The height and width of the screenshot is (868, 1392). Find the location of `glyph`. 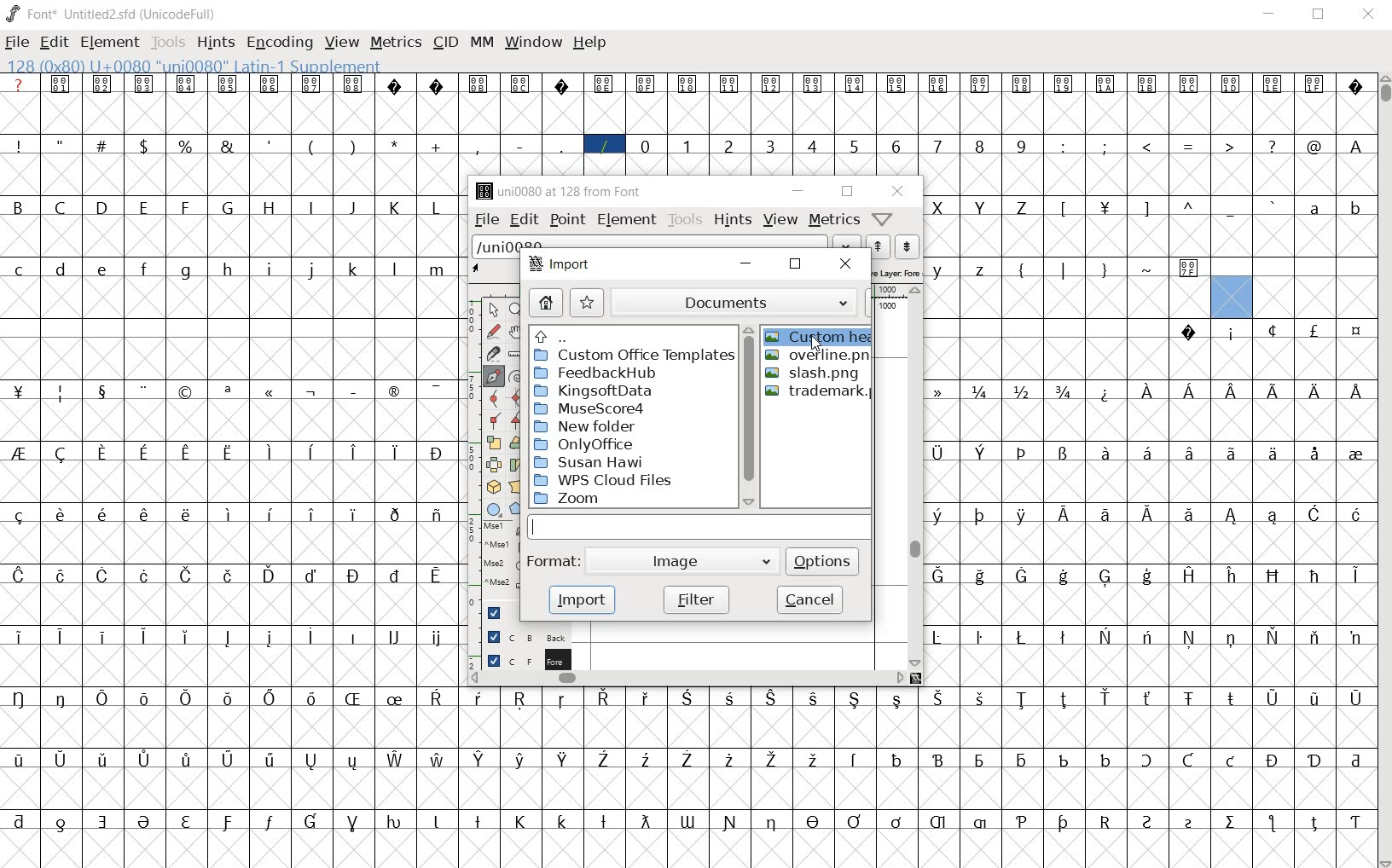

glyph is located at coordinates (61, 759).